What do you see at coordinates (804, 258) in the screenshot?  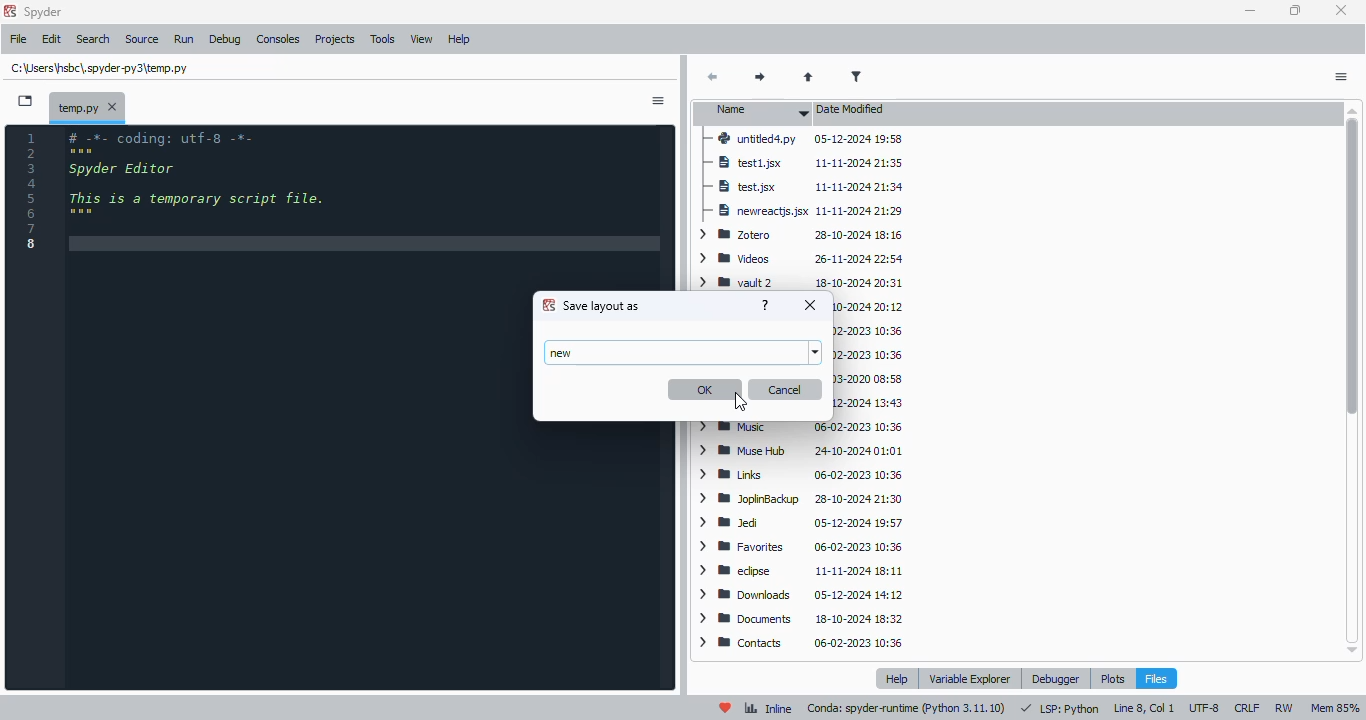 I see `videos` at bounding box center [804, 258].